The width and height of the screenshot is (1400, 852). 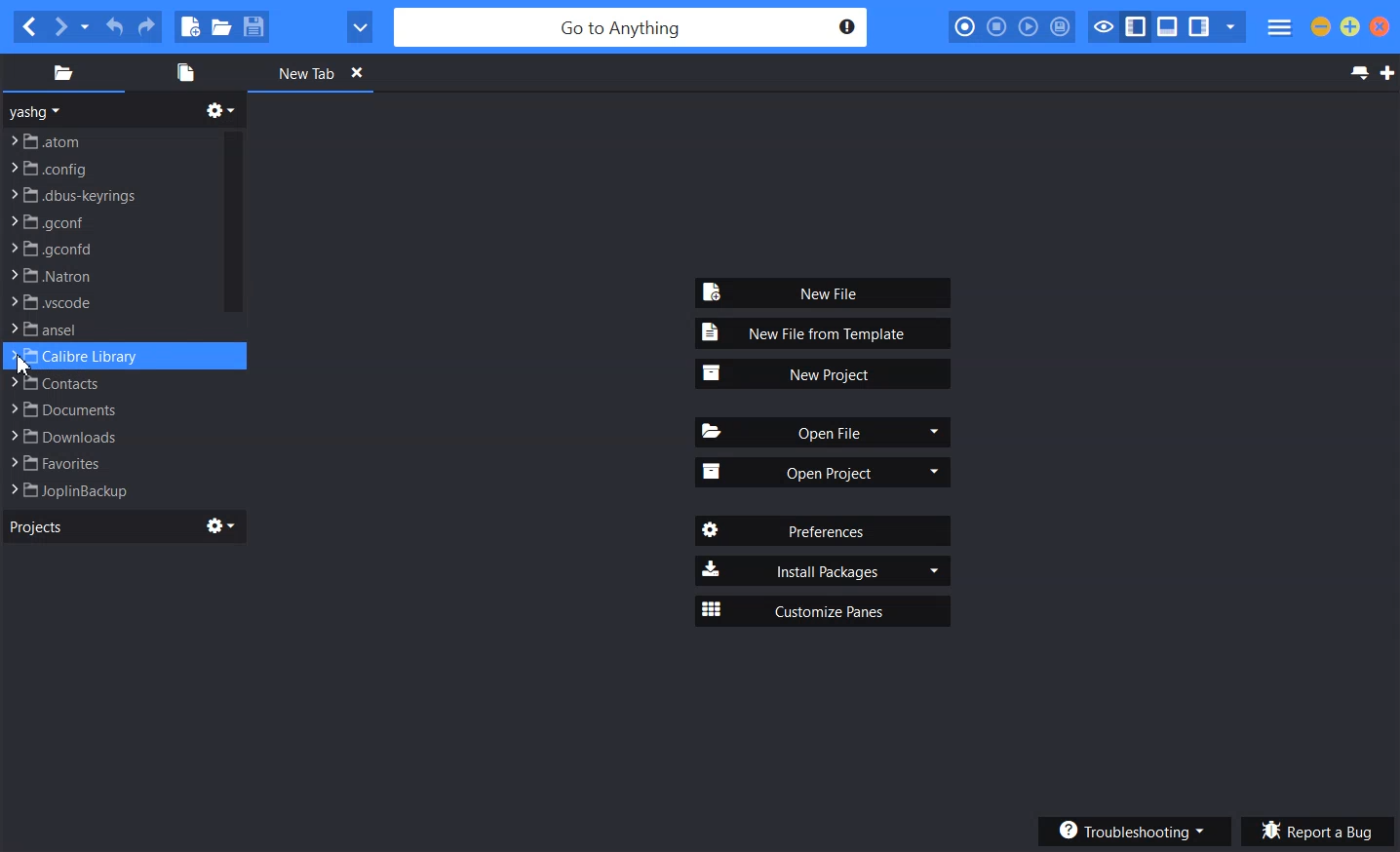 What do you see at coordinates (221, 26) in the screenshot?
I see `Open file` at bounding box center [221, 26].